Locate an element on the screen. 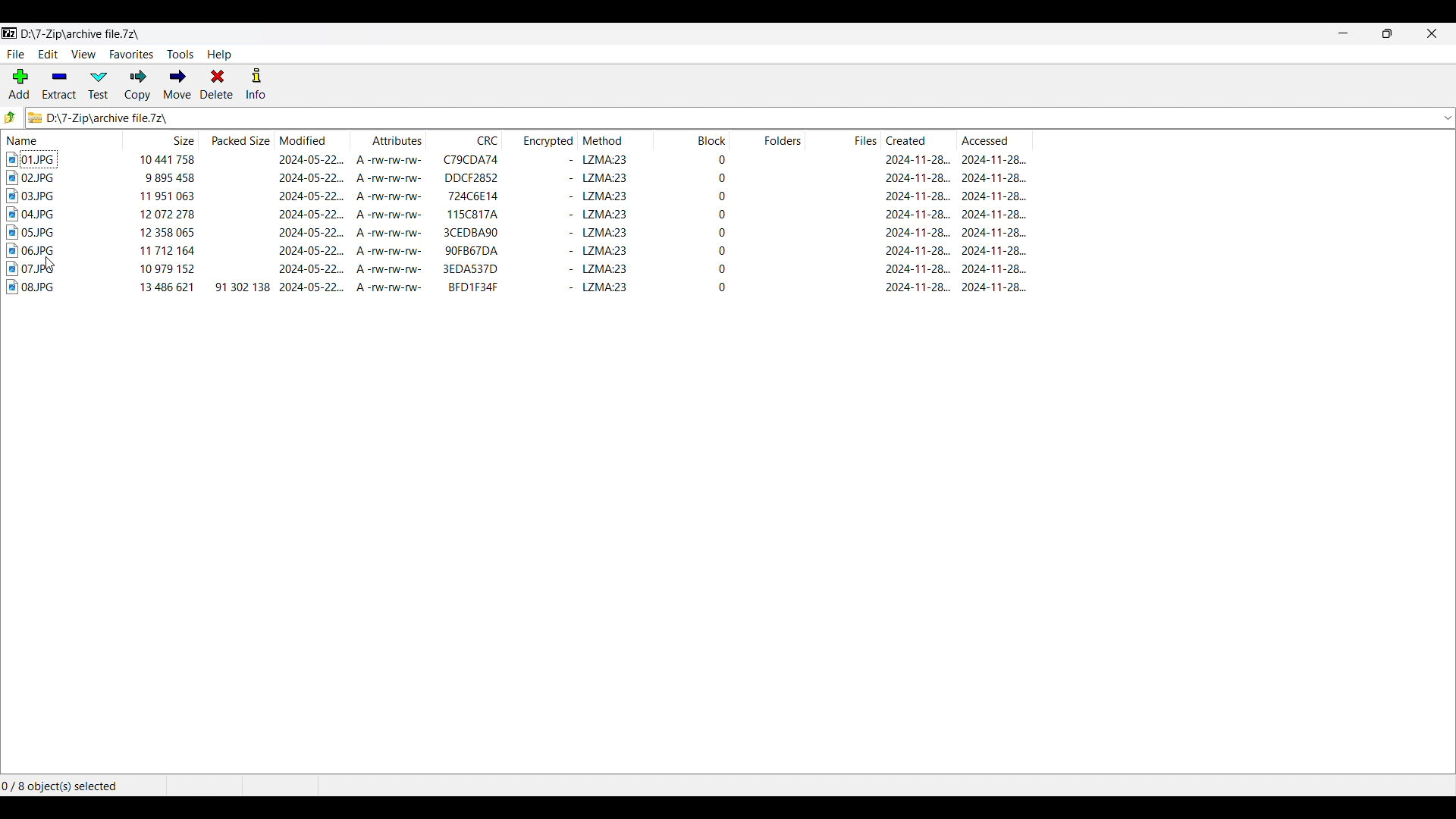 This screenshot has width=1456, height=819. Accessed column is located at coordinates (994, 140).